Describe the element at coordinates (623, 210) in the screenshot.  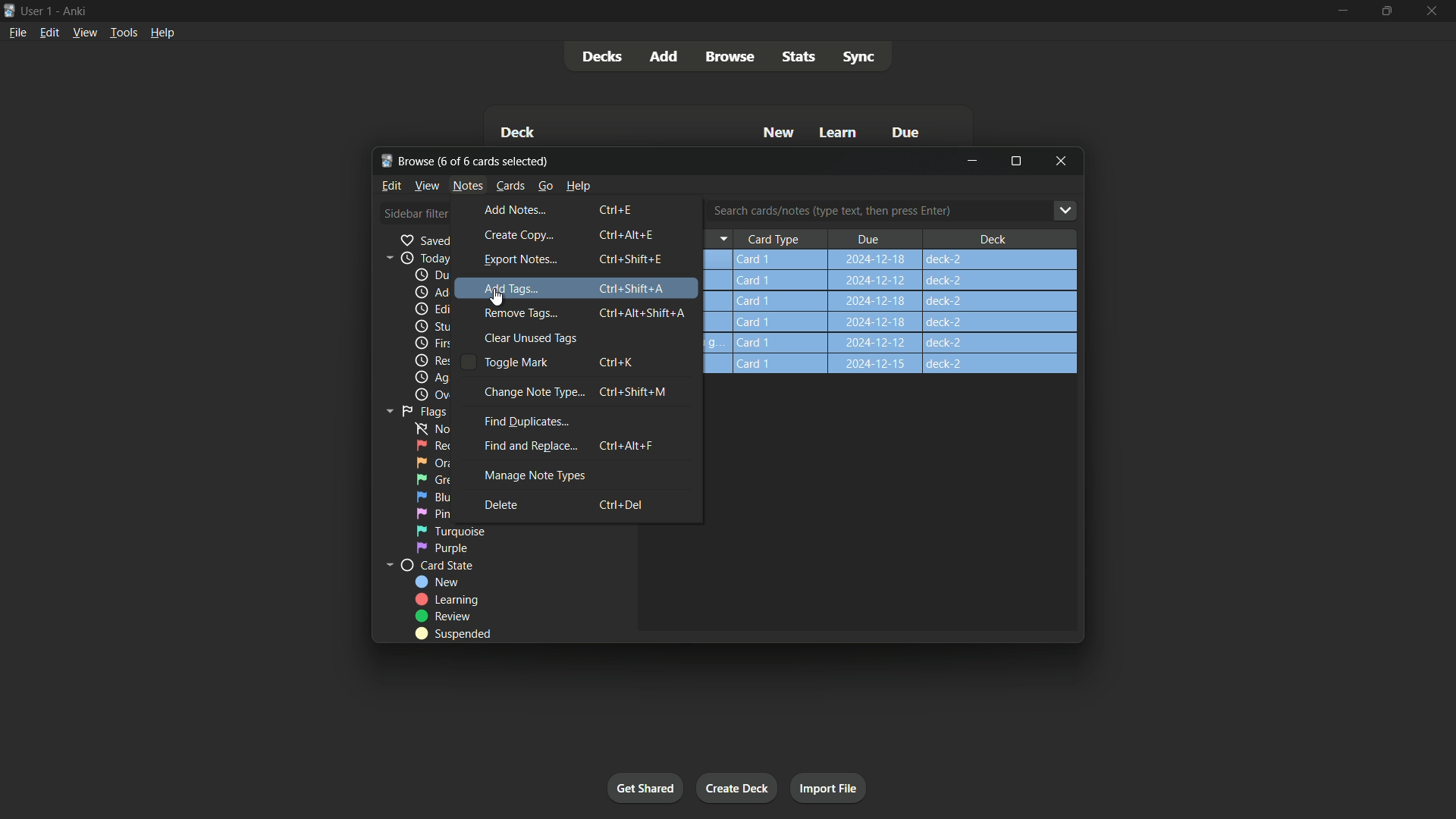
I see `Ctrl + E` at that location.